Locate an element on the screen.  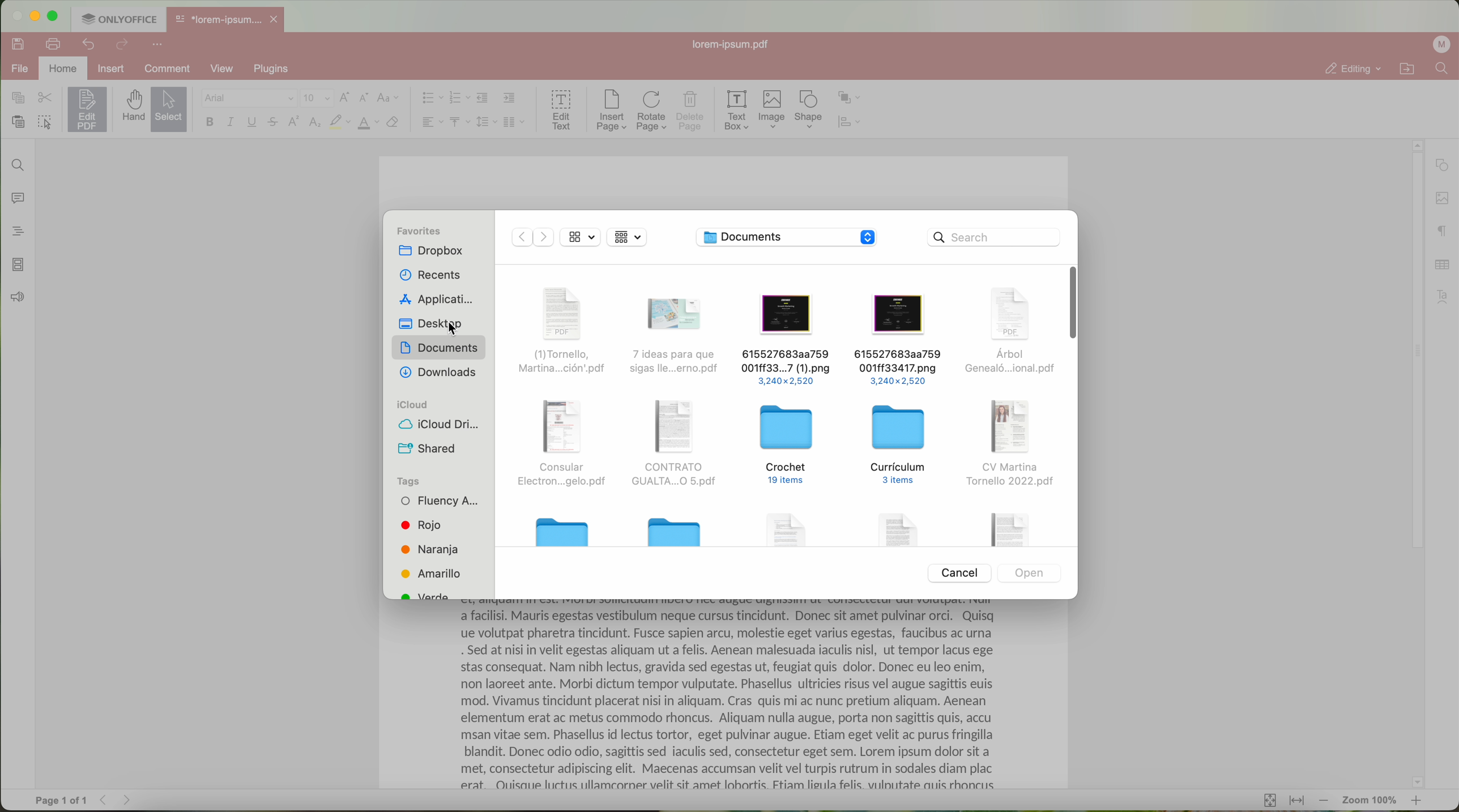
shape is located at coordinates (809, 110).